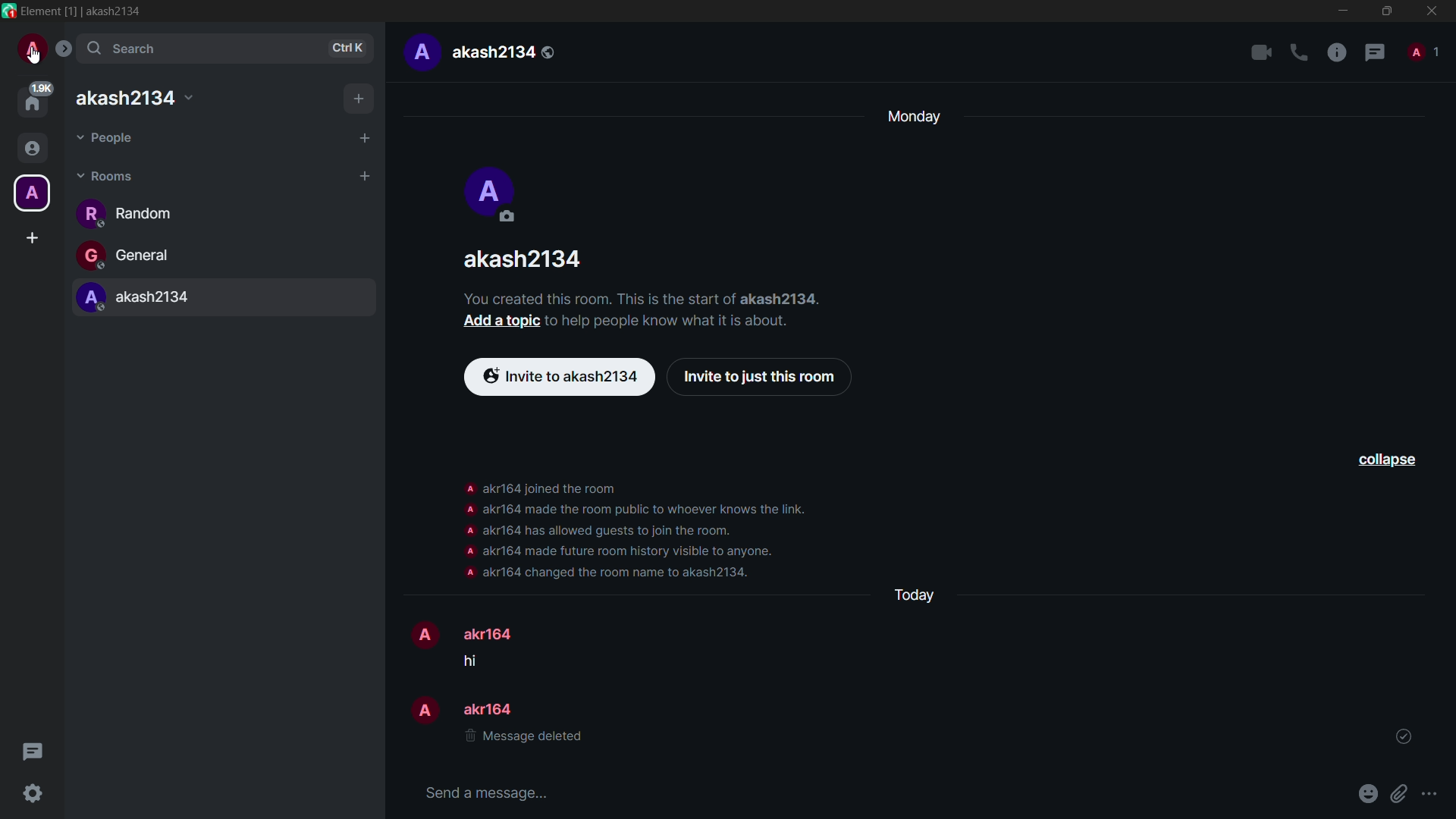  Describe the element at coordinates (761, 379) in the screenshot. I see `invite to just this room` at that location.